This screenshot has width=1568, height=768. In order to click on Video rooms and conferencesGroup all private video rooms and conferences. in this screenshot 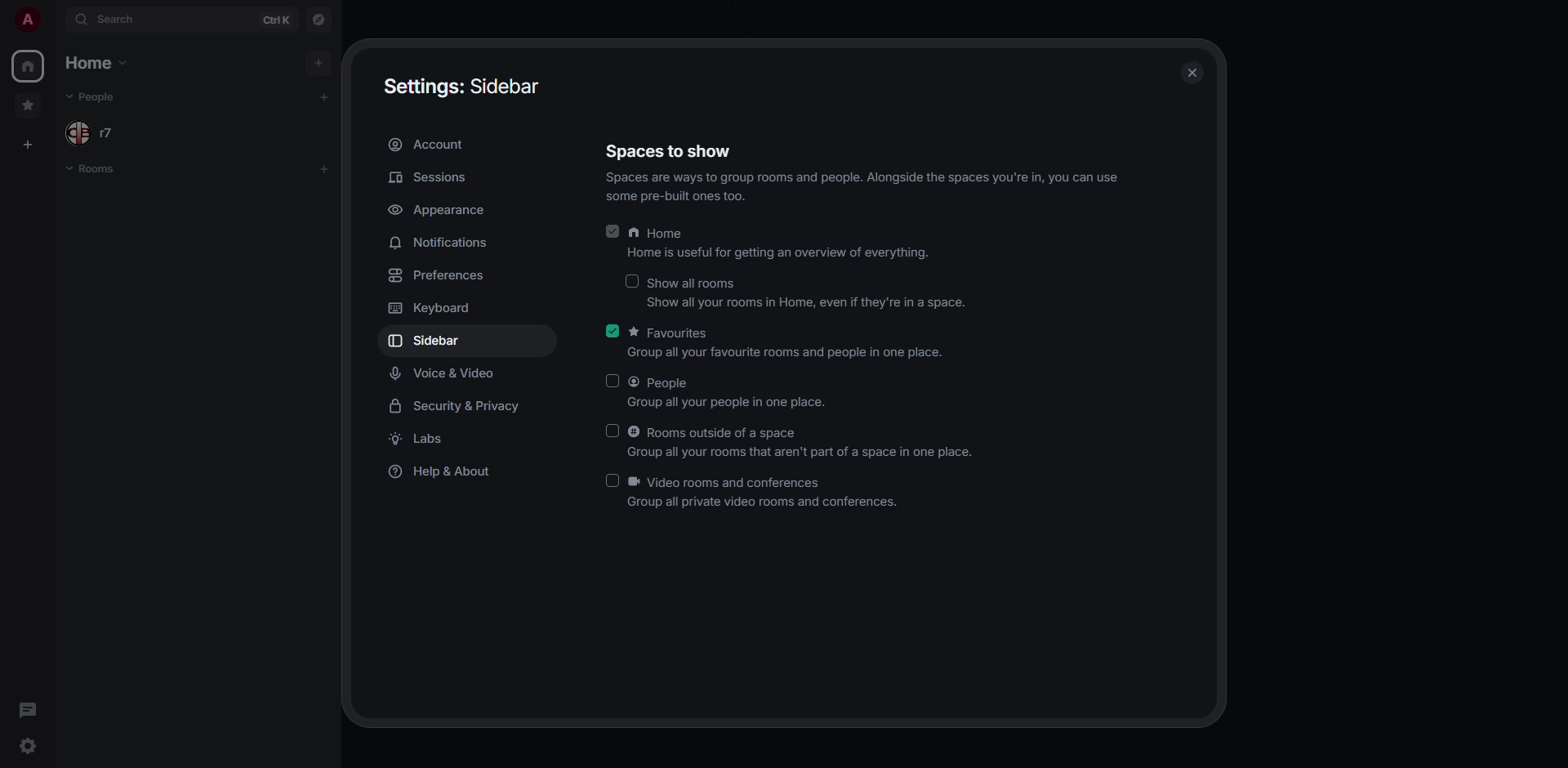, I will do `click(766, 493)`.